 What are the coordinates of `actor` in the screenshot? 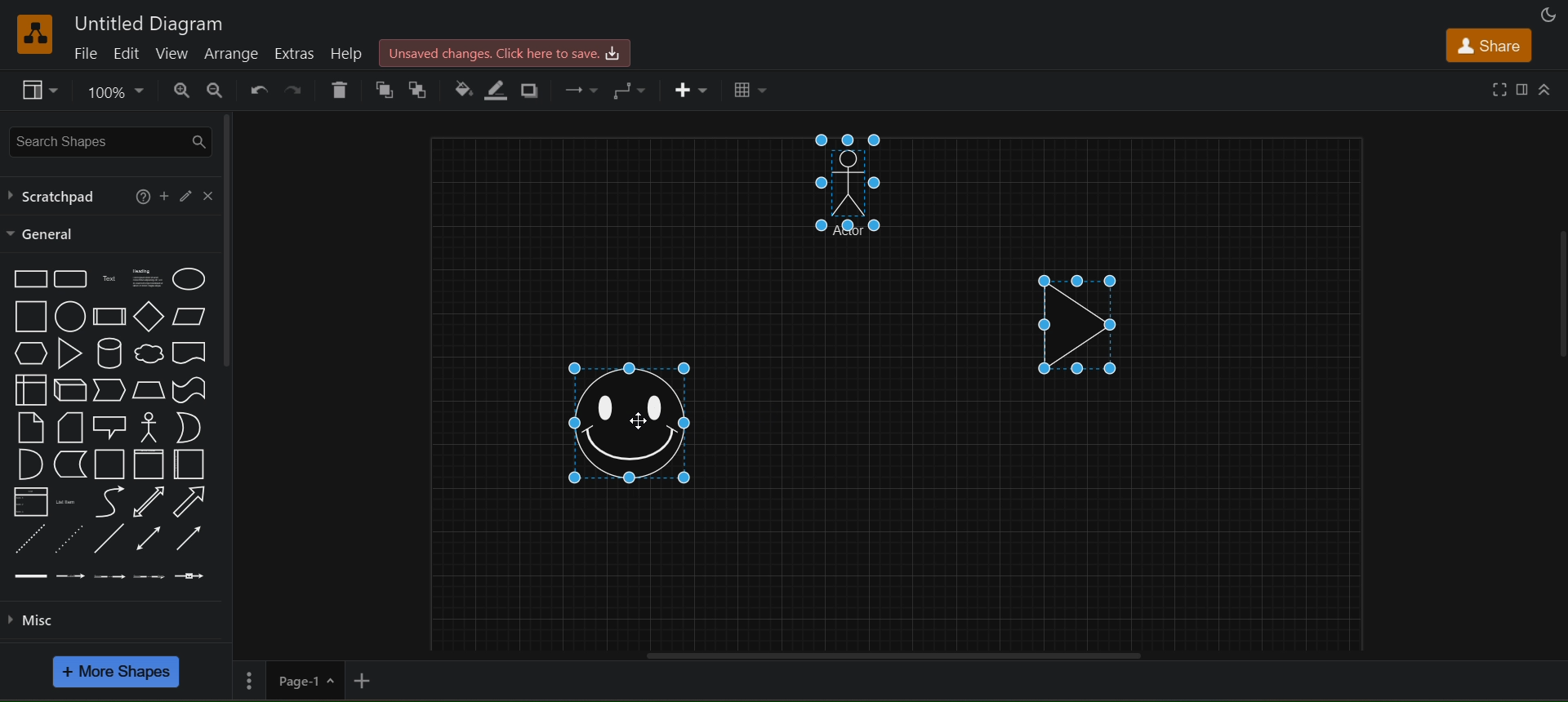 It's located at (146, 427).